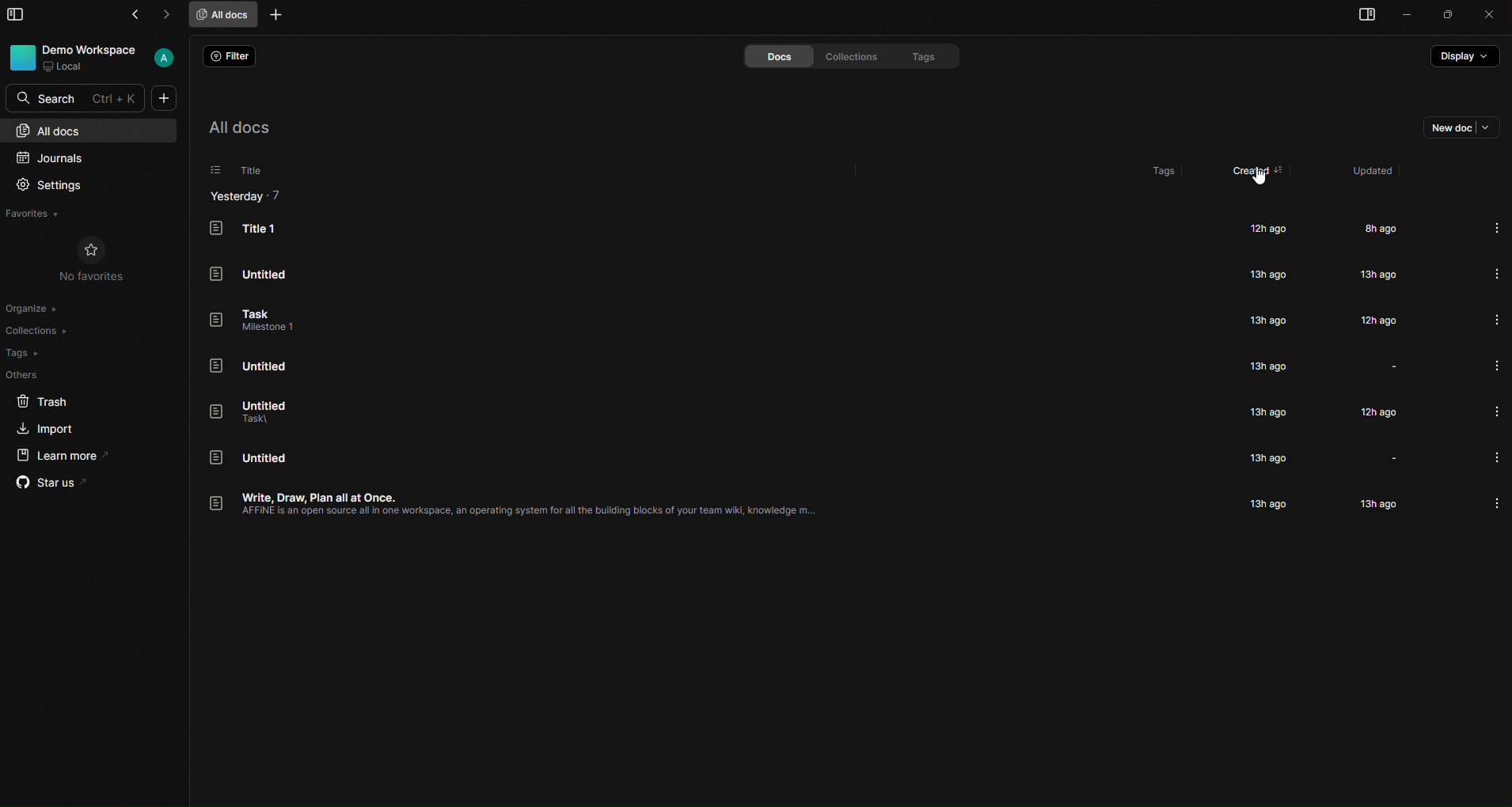 The height and width of the screenshot is (807, 1512). I want to click on docs, so click(779, 55).